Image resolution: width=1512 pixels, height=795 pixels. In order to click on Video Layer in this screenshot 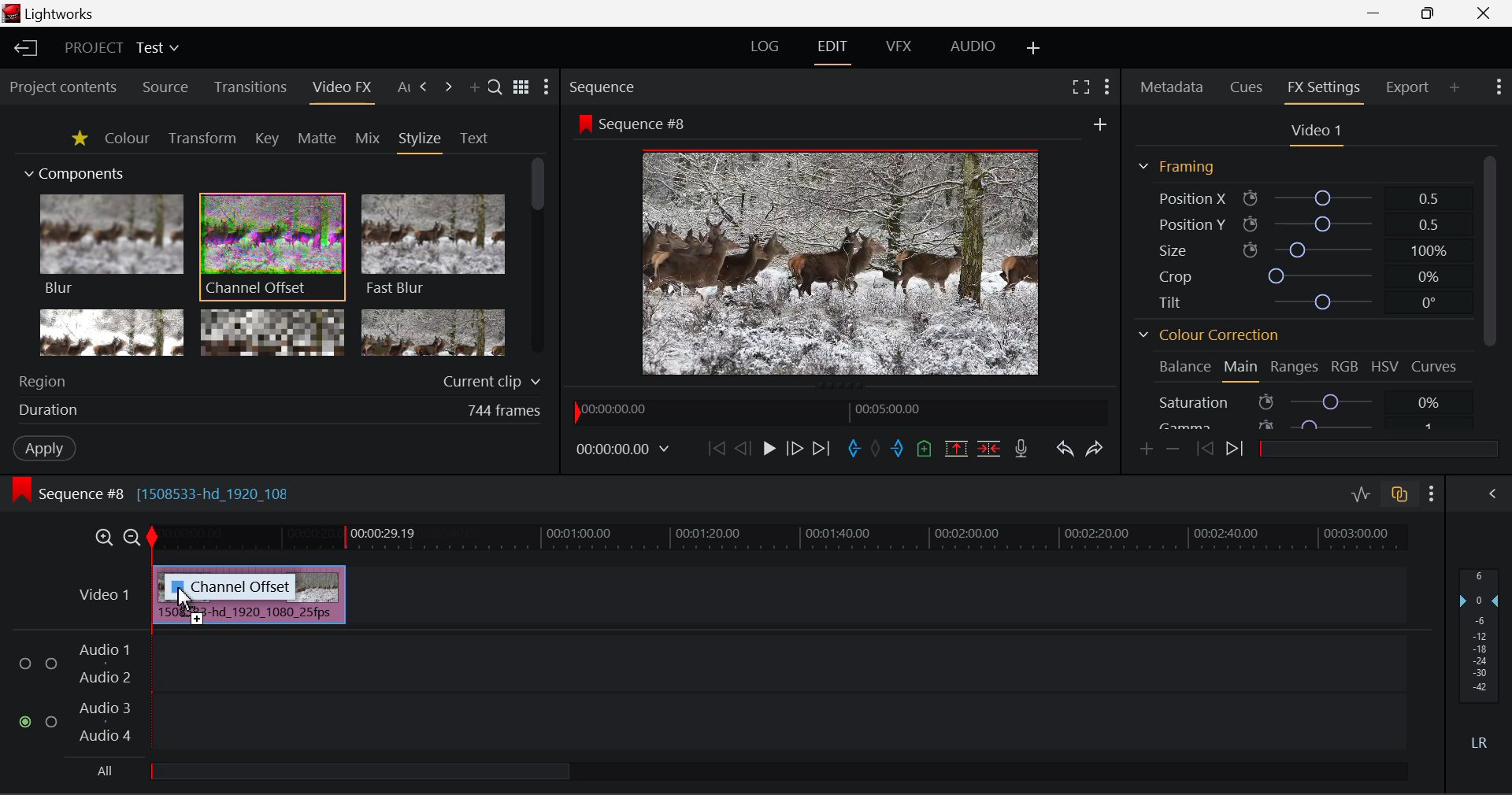, I will do `click(106, 598)`.